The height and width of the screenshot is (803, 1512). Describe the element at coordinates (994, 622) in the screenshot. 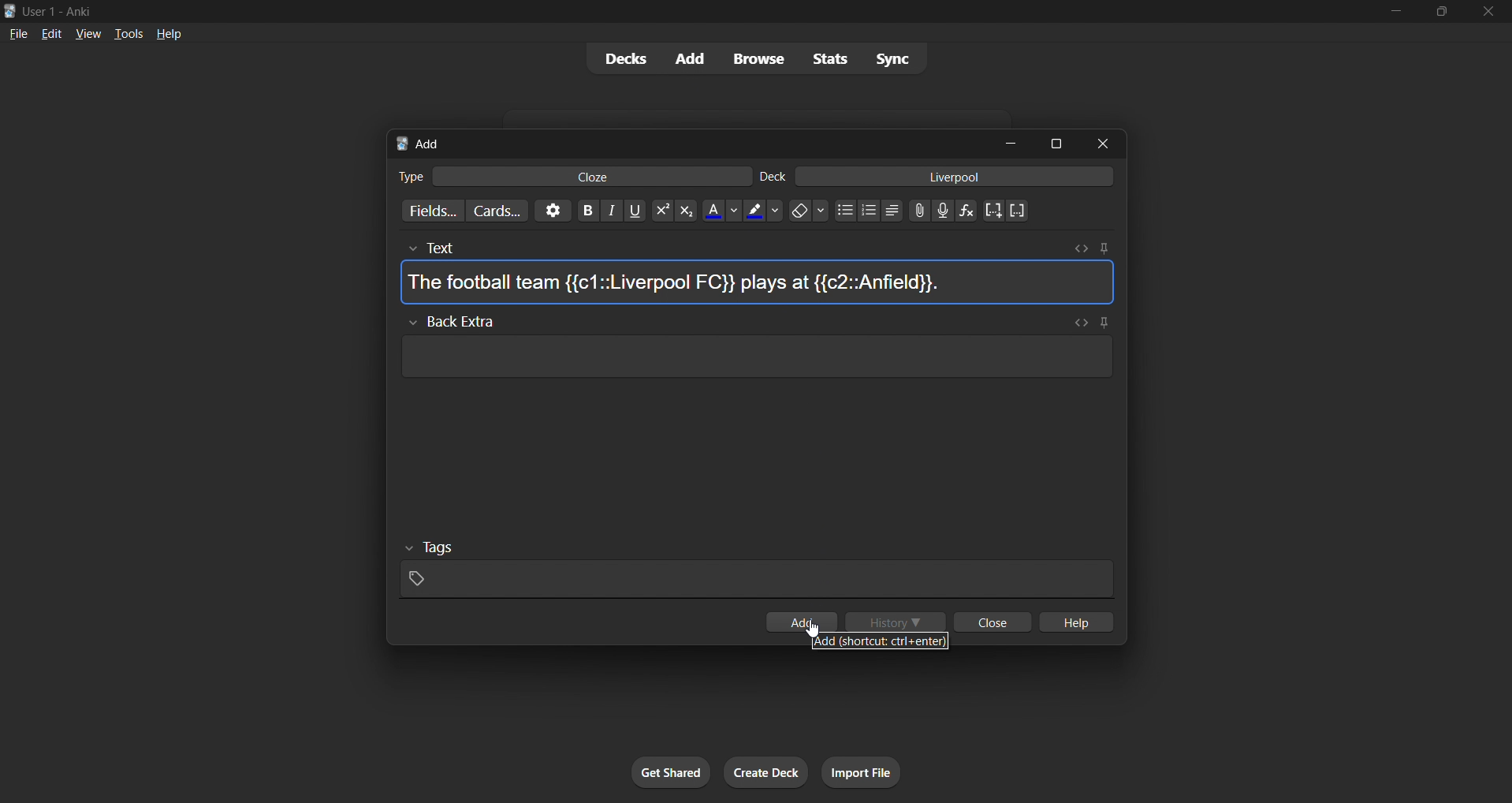

I see `close` at that location.